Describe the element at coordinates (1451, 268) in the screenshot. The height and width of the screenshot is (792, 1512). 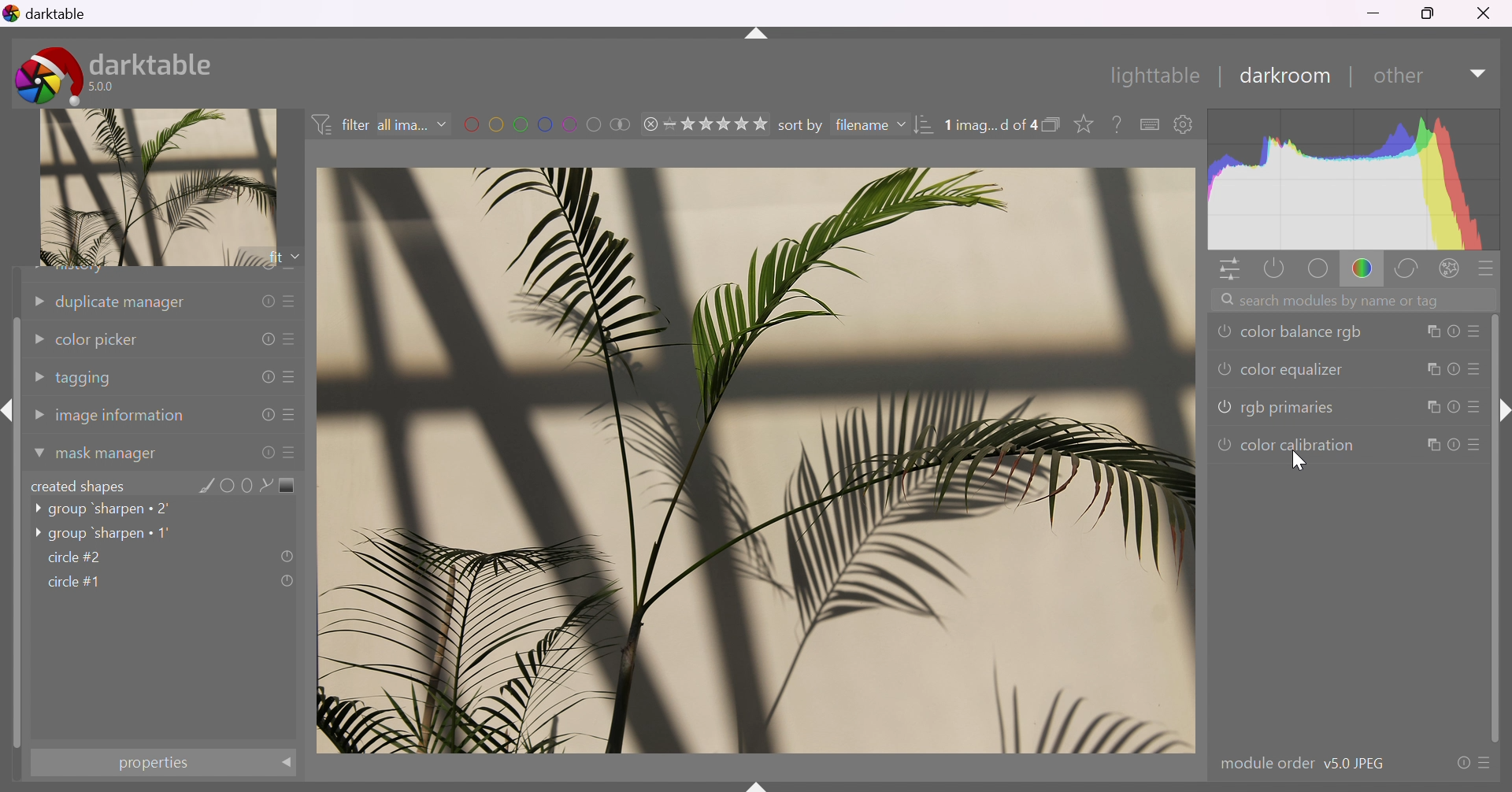
I see `effect` at that location.